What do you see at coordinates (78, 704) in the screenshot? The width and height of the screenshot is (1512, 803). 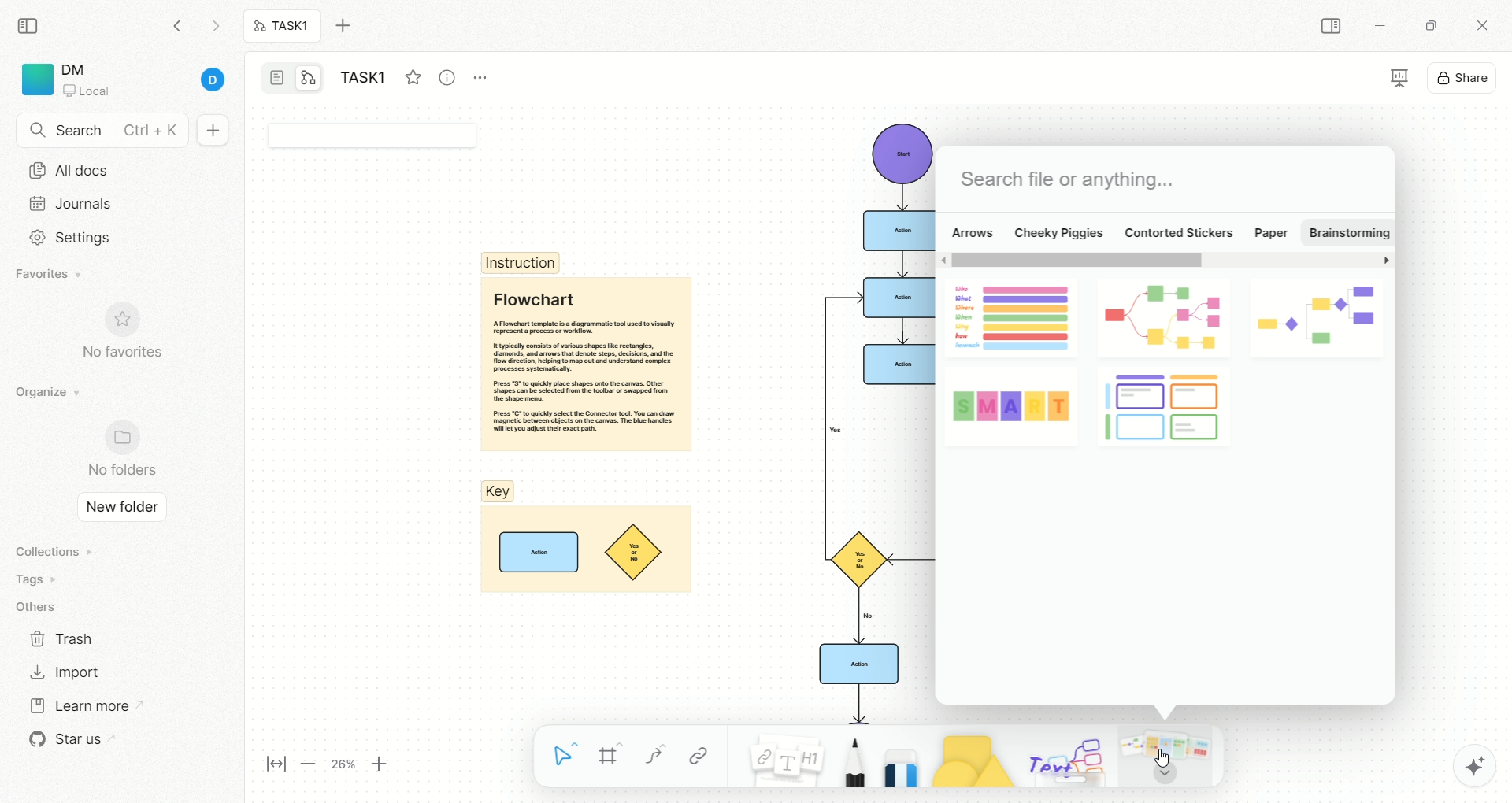 I see `learn more` at bounding box center [78, 704].